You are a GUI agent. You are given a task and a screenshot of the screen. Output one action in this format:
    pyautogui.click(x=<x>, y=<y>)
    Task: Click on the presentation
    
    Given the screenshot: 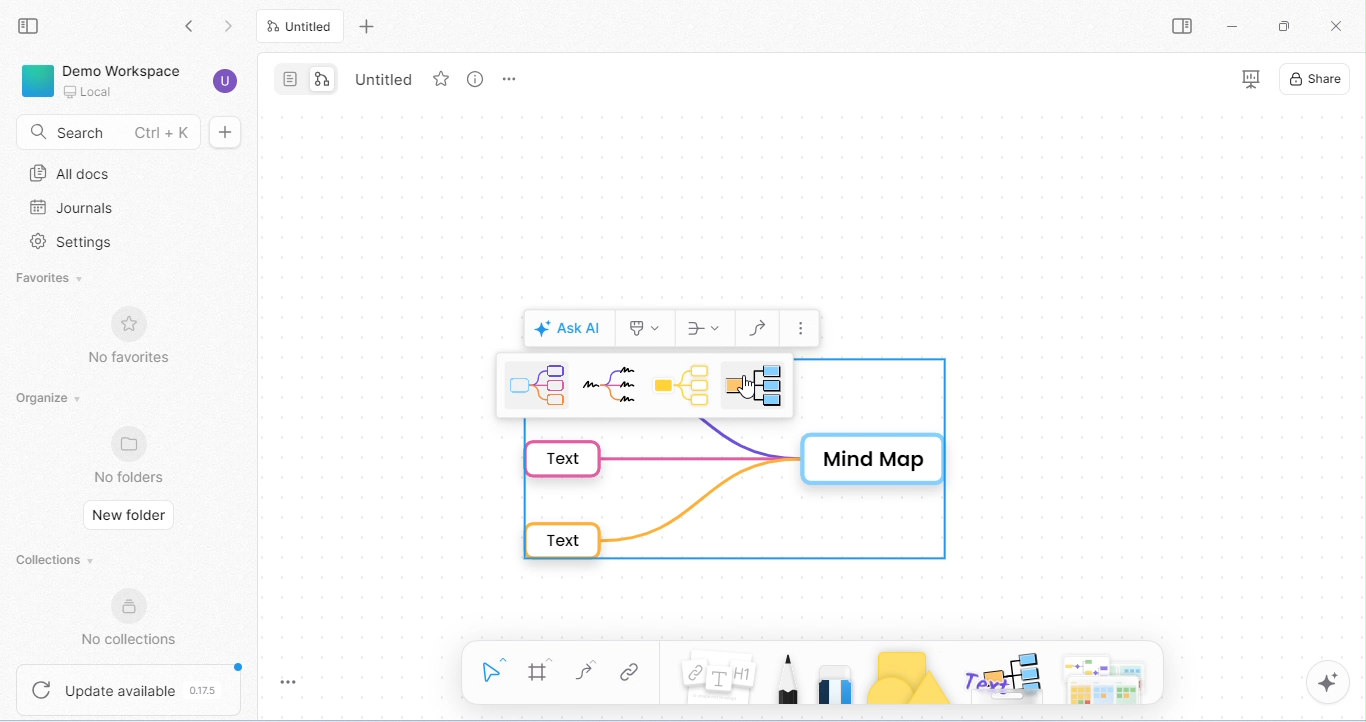 What is the action you would take?
    pyautogui.click(x=1252, y=80)
    